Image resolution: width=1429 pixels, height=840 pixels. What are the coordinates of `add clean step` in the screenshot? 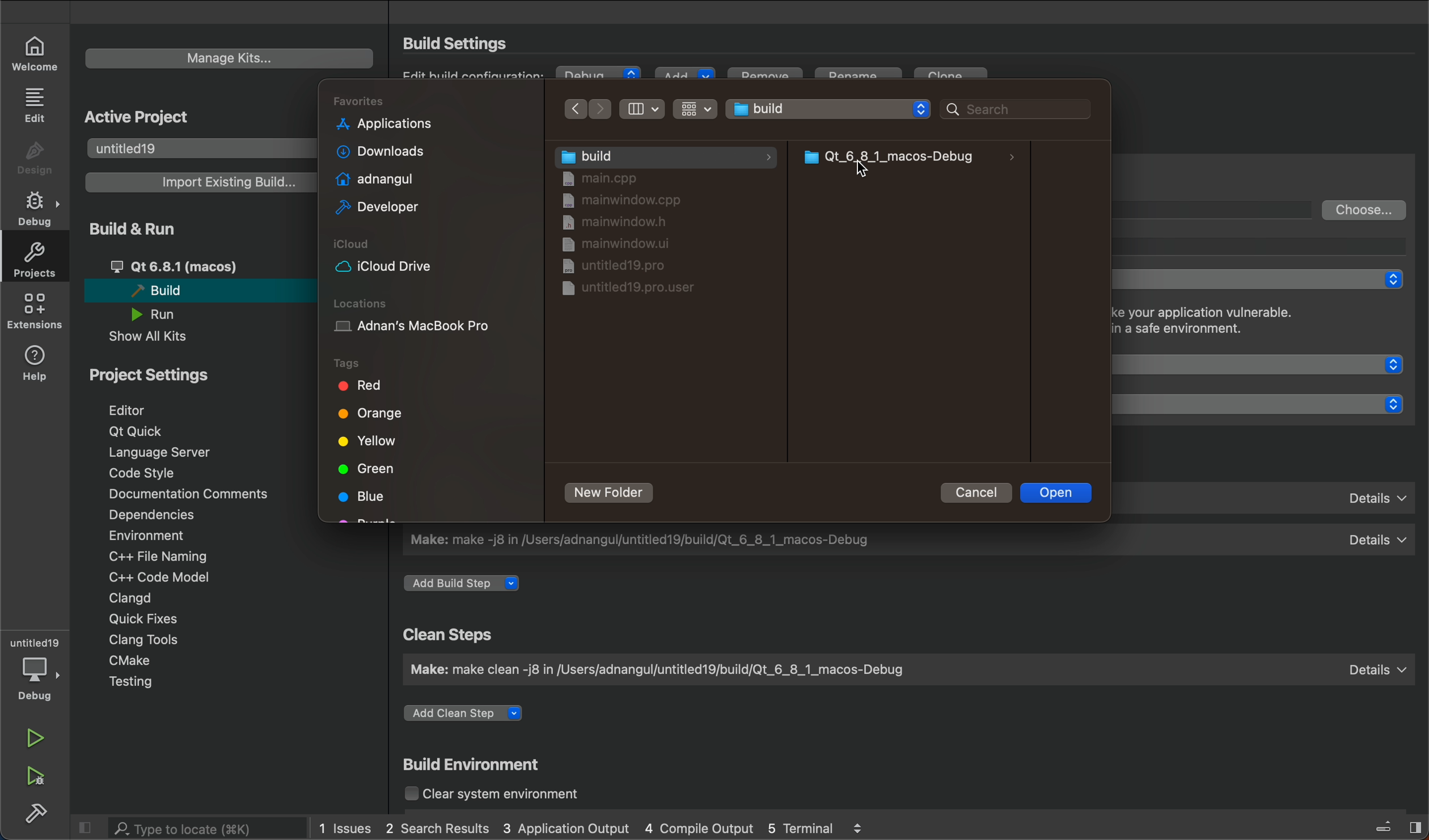 It's located at (472, 716).